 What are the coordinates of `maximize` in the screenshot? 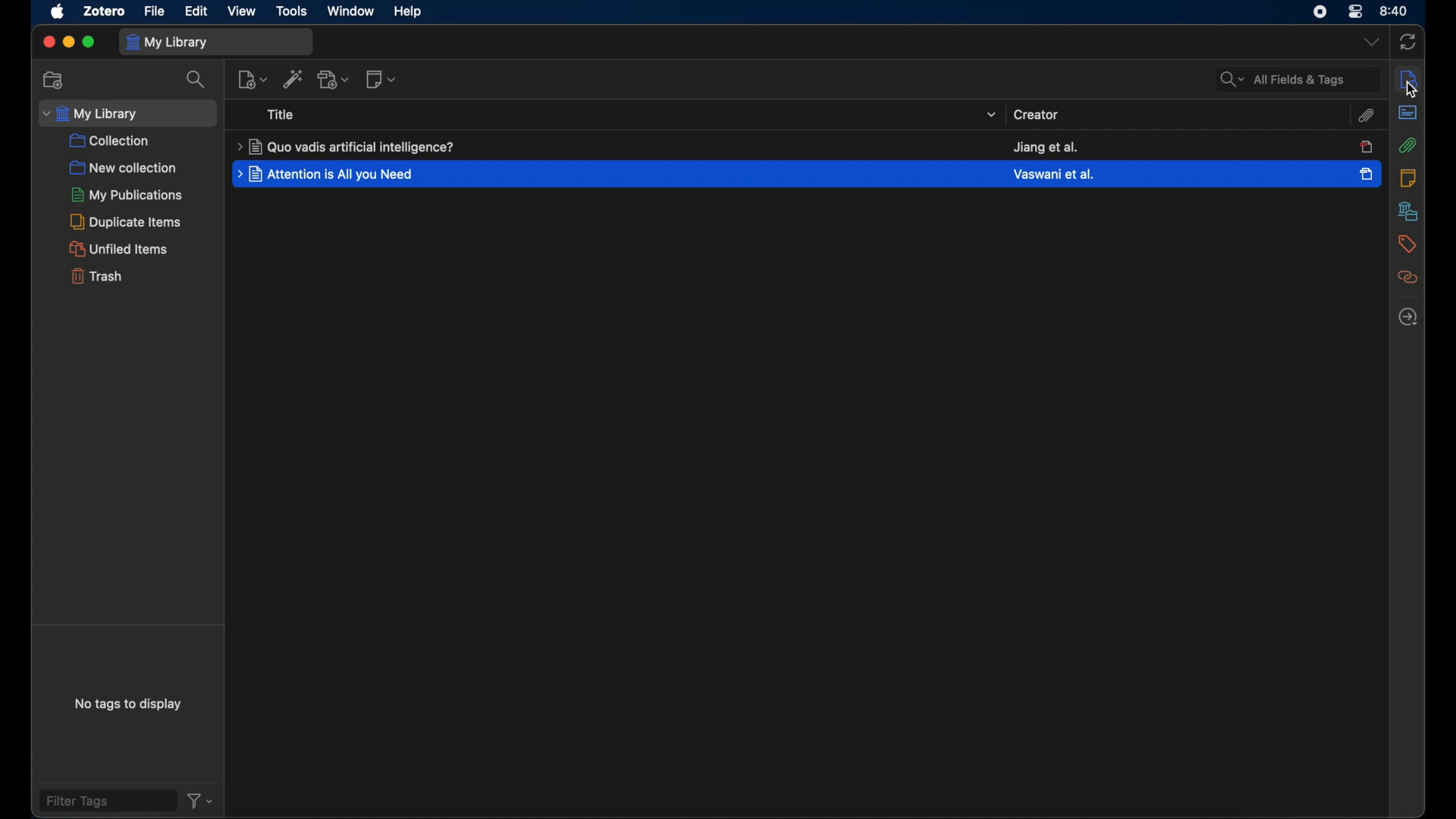 It's located at (89, 43).